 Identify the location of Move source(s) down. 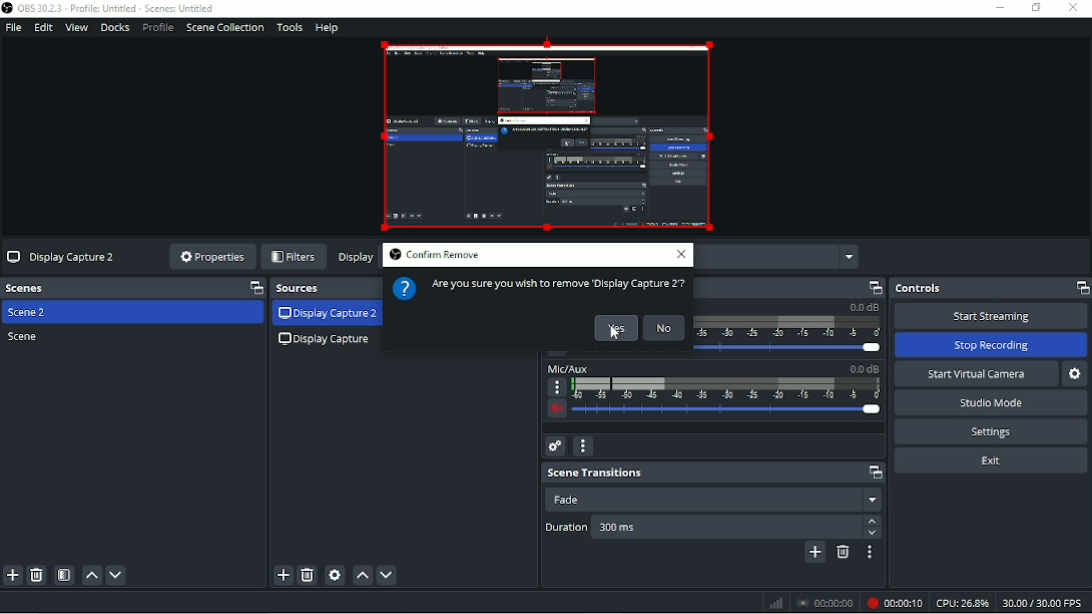
(386, 574).